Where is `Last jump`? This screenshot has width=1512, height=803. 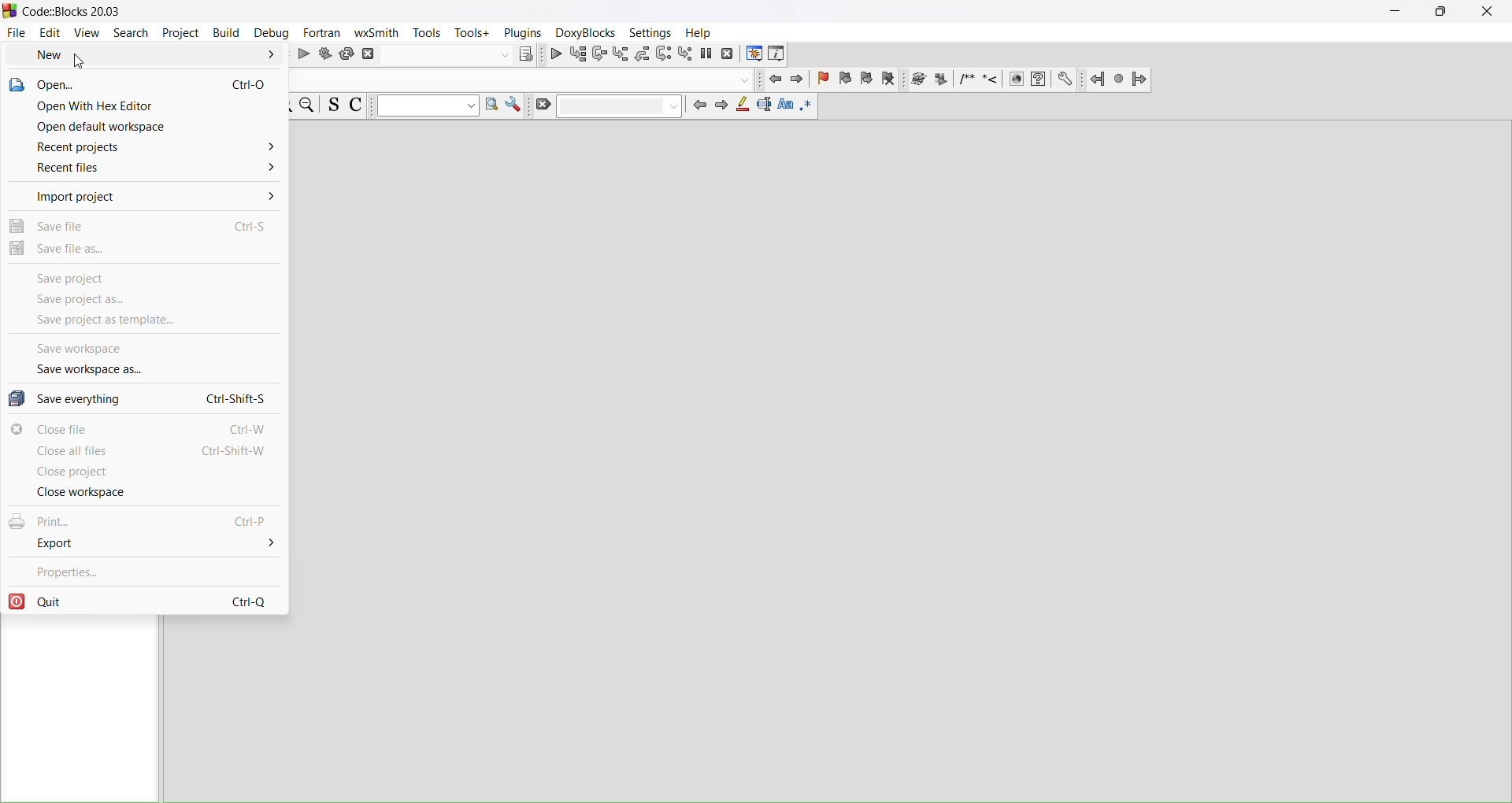 Last jump is located at coordinates (1119, 79).